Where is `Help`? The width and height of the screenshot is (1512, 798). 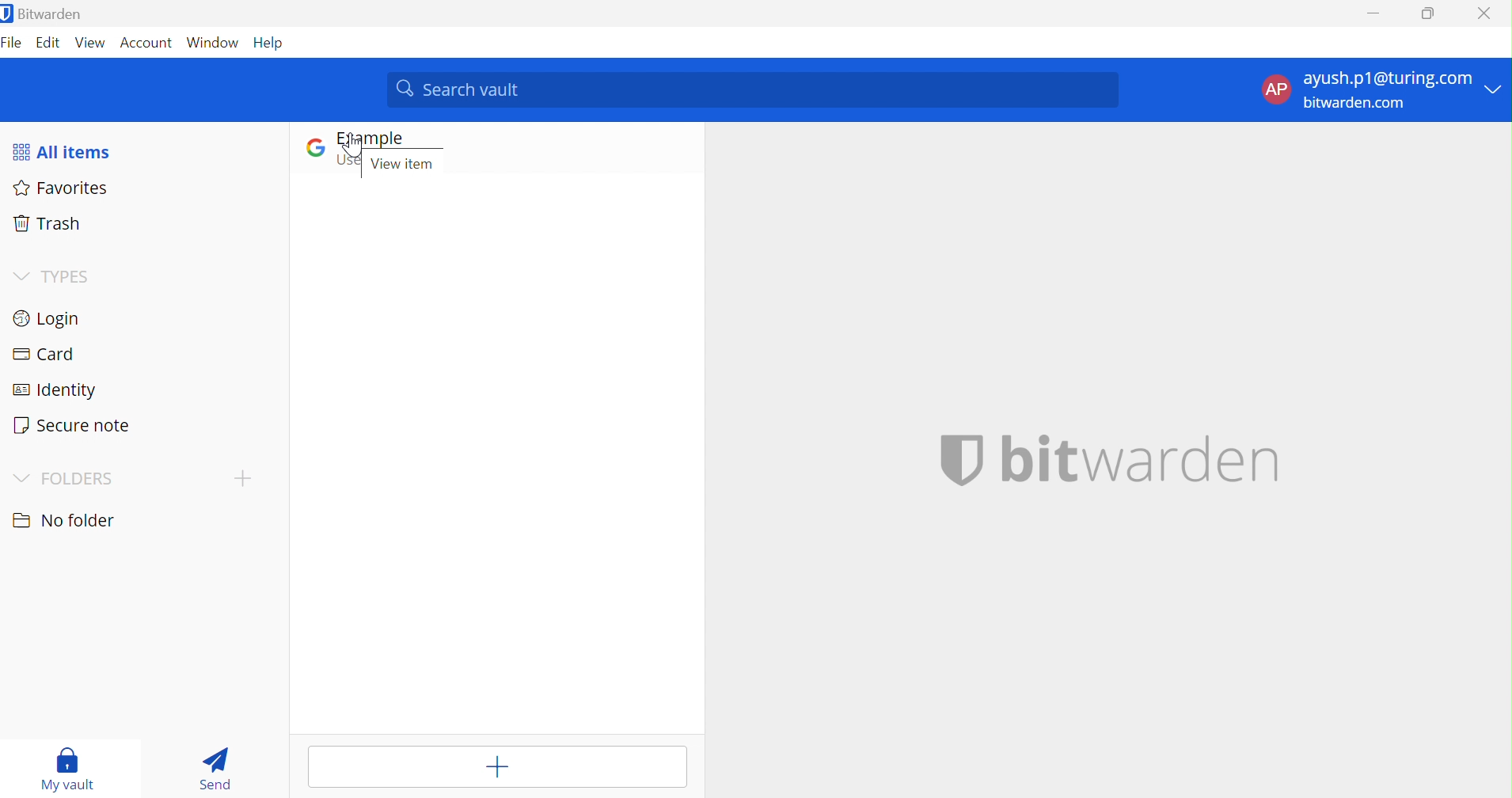
Help is located at coordinates (272, 43).